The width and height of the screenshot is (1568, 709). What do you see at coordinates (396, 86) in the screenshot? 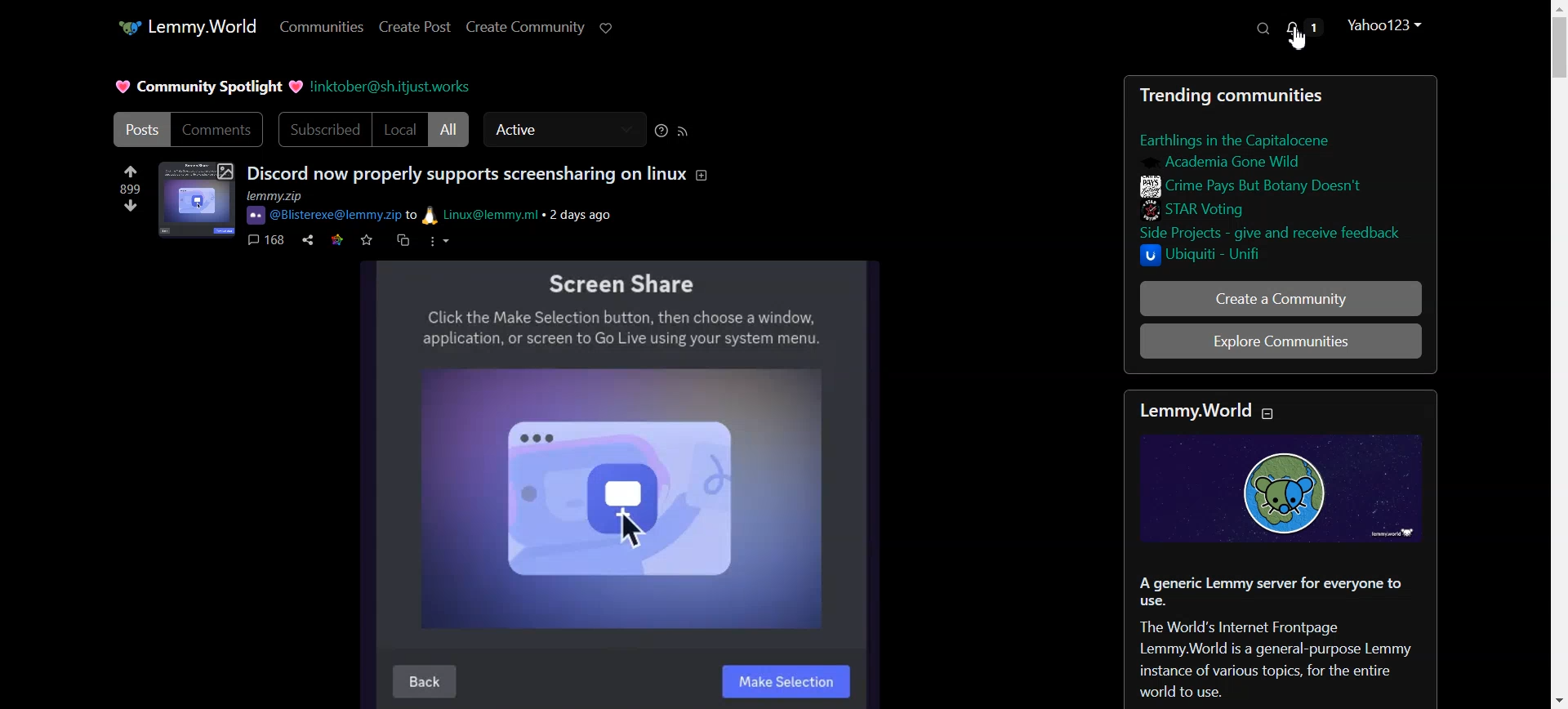
I see `Hyperlink` at bounding box center [396, 86].